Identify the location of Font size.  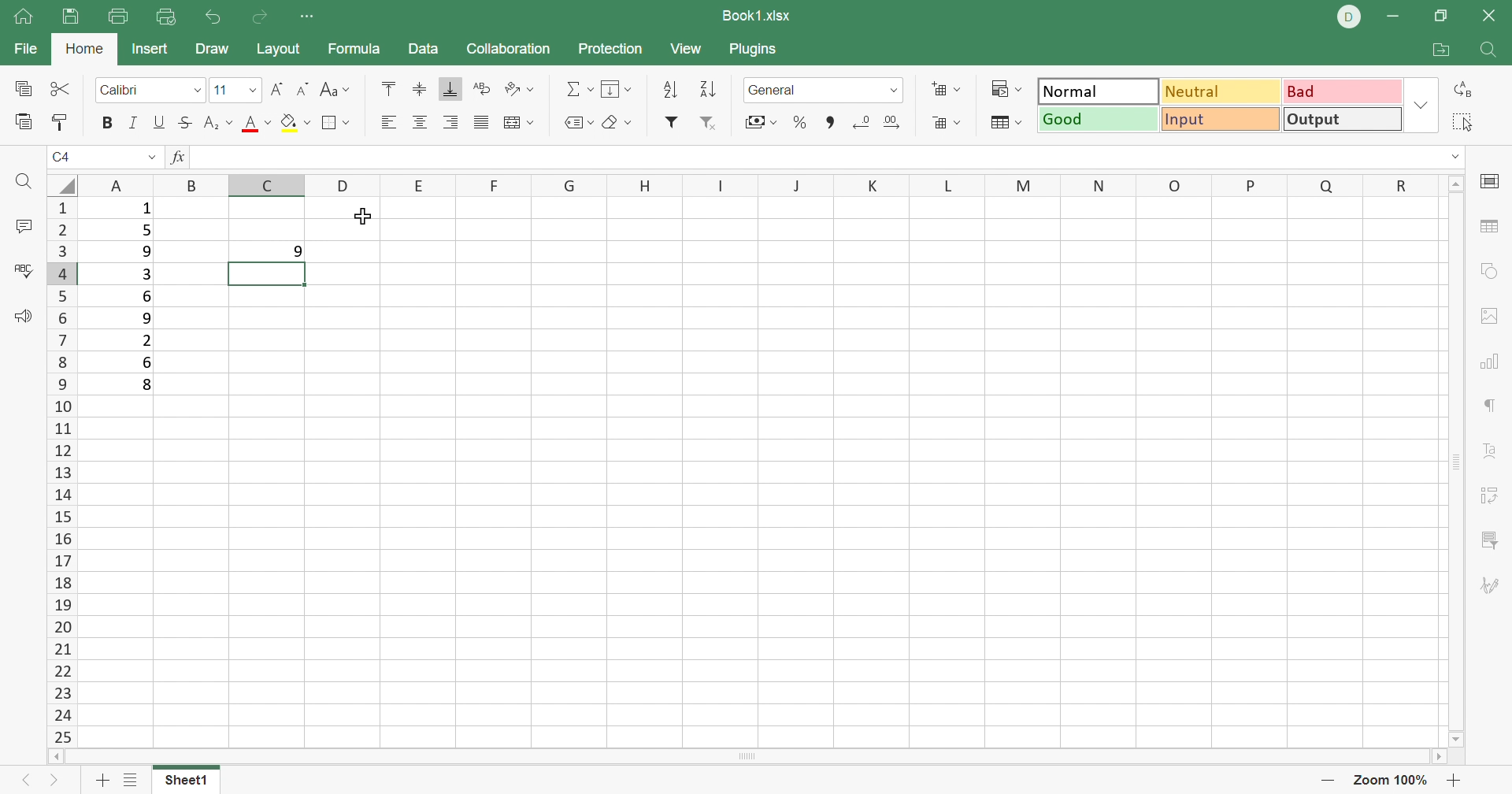
(257, 127).